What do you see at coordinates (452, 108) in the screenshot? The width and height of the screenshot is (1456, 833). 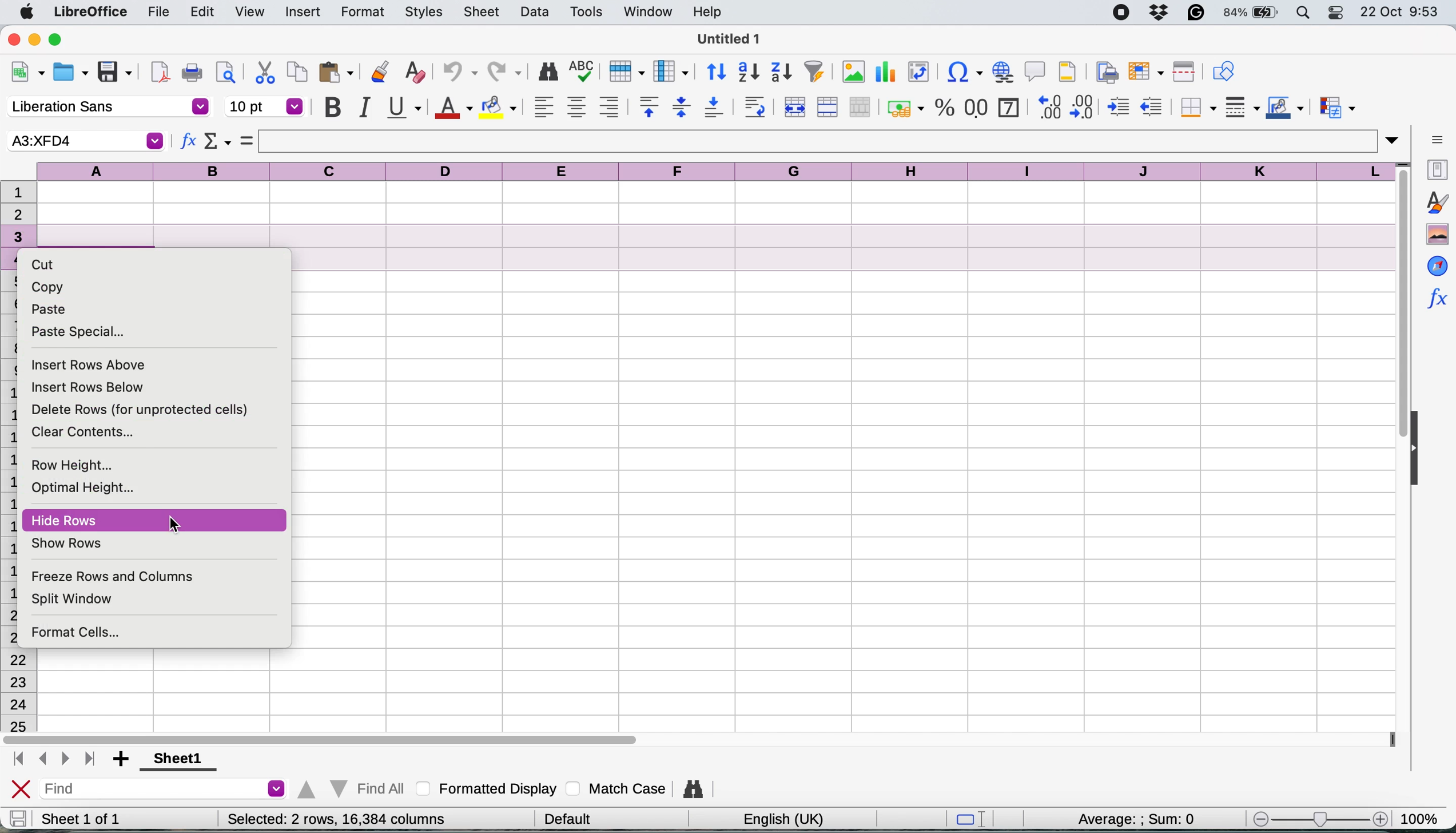 I see `text color` at bounding box center [452, 108].